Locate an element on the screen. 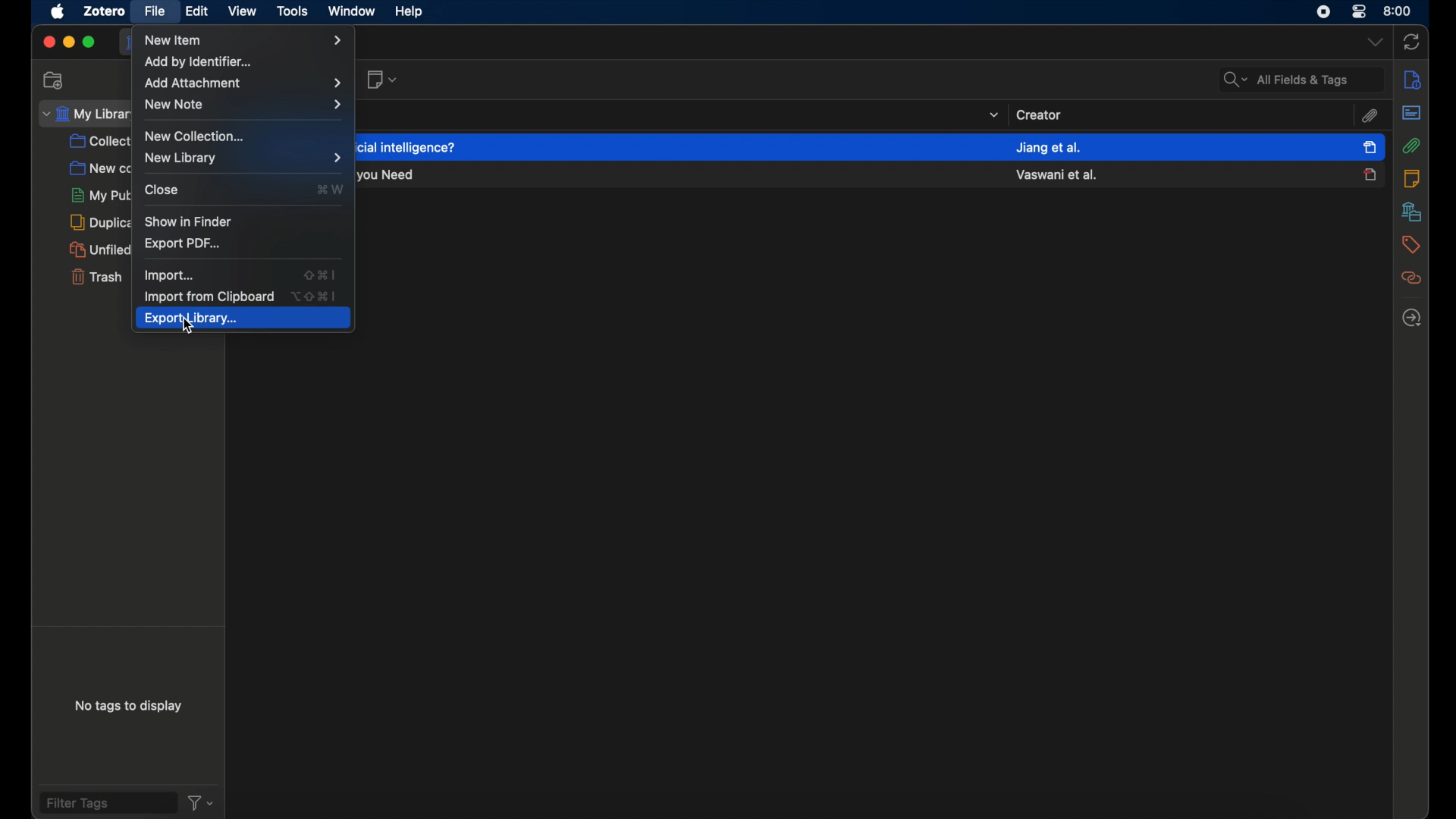 The height and width of the screenshot is (819, 1456). tags is located at coordinates (1410, 245).